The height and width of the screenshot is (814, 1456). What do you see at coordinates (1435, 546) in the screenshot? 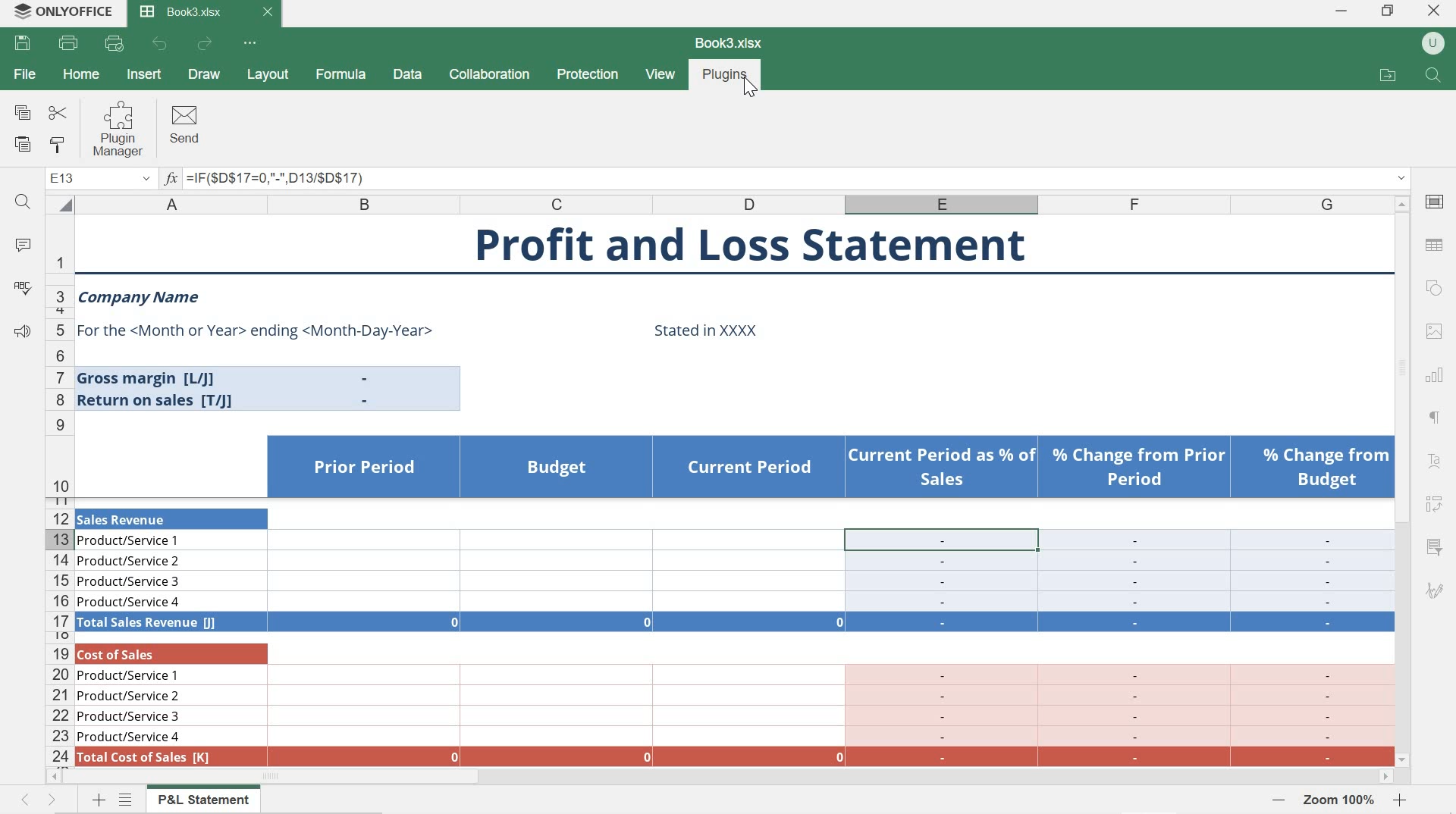
I see `slicer` at bounding box center [1435, 546].